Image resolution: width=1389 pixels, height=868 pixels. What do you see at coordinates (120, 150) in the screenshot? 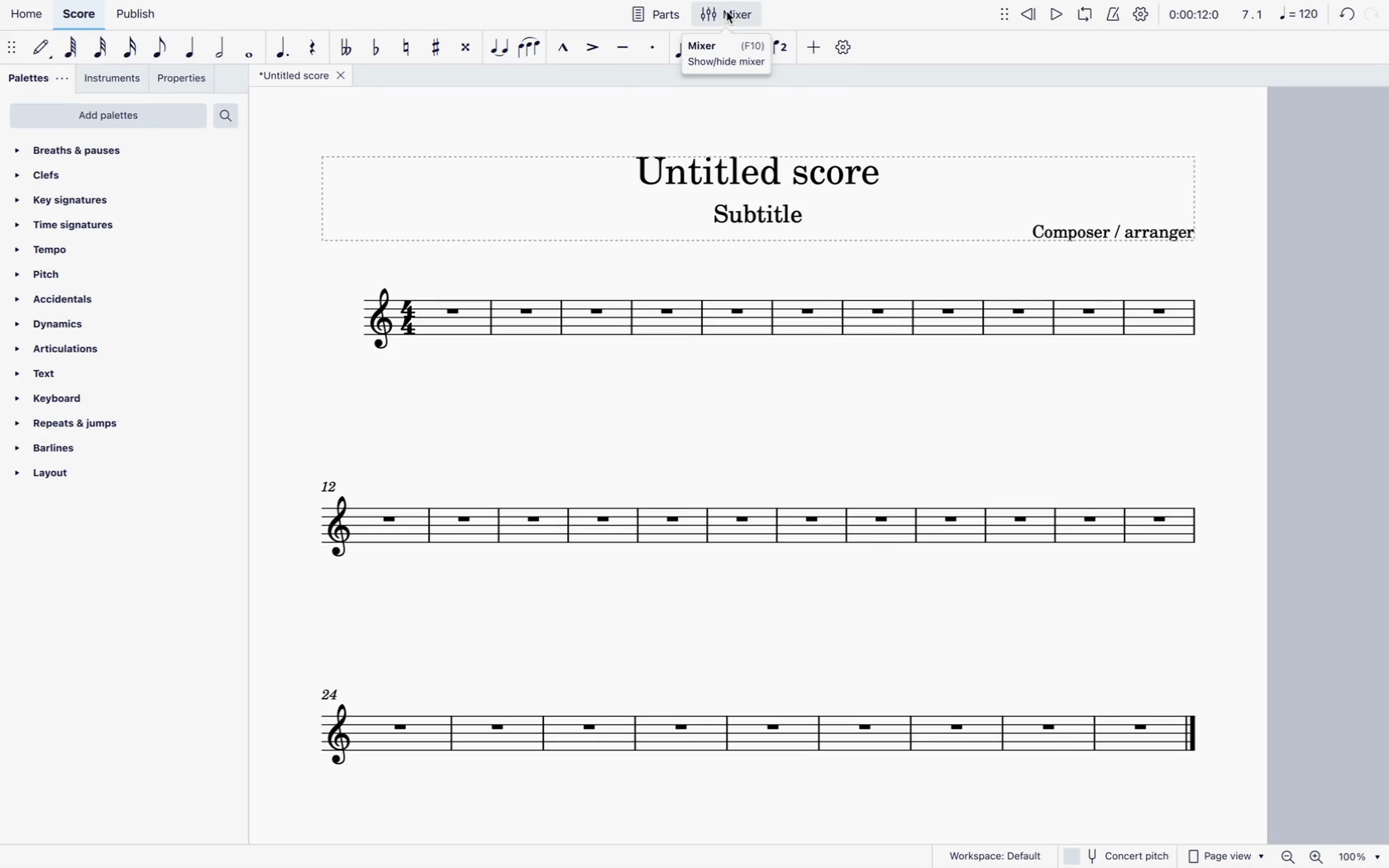
I see `breaths & pauses` at bounding box center [120, 150].